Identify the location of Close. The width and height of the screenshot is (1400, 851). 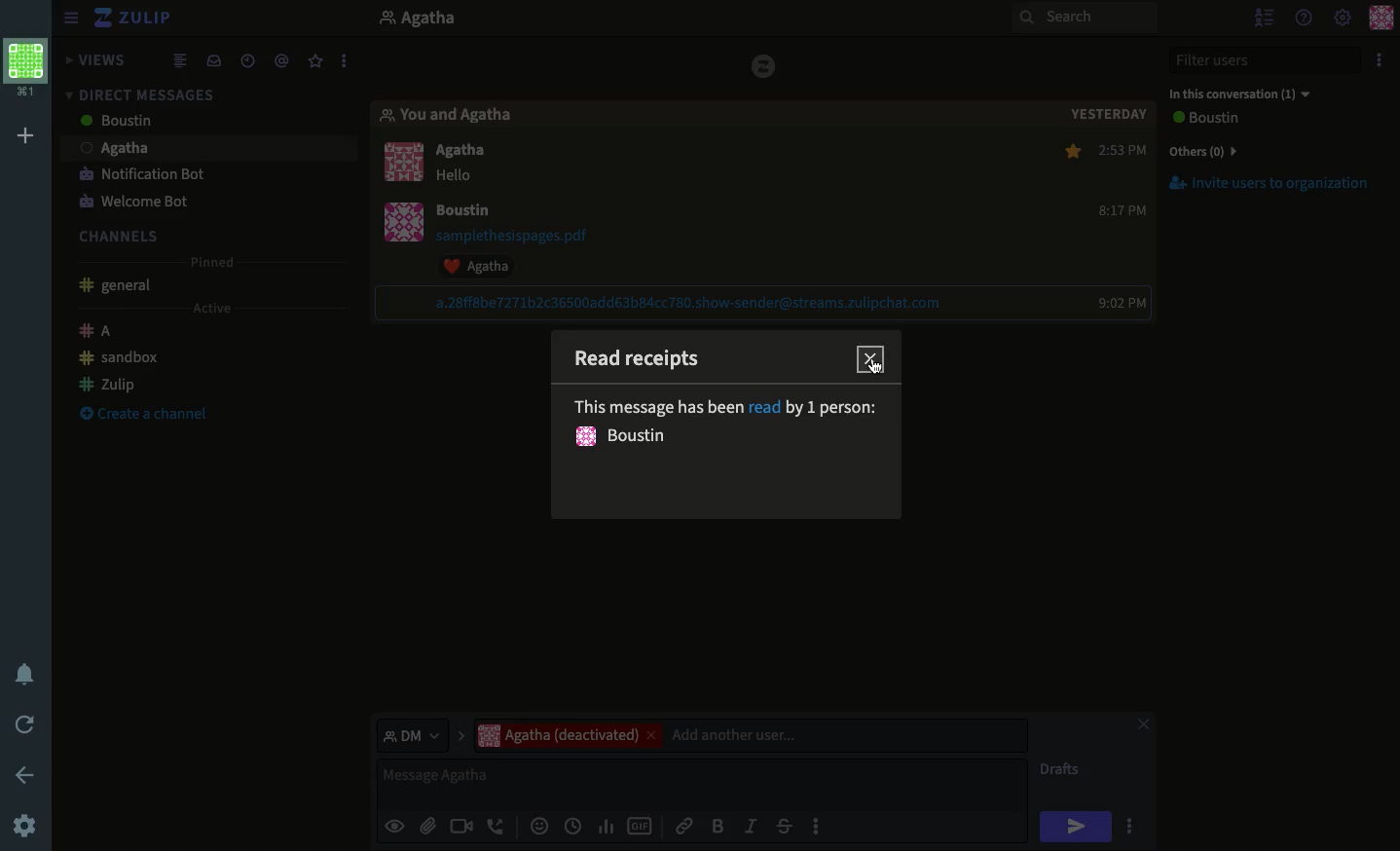
(872, 358).